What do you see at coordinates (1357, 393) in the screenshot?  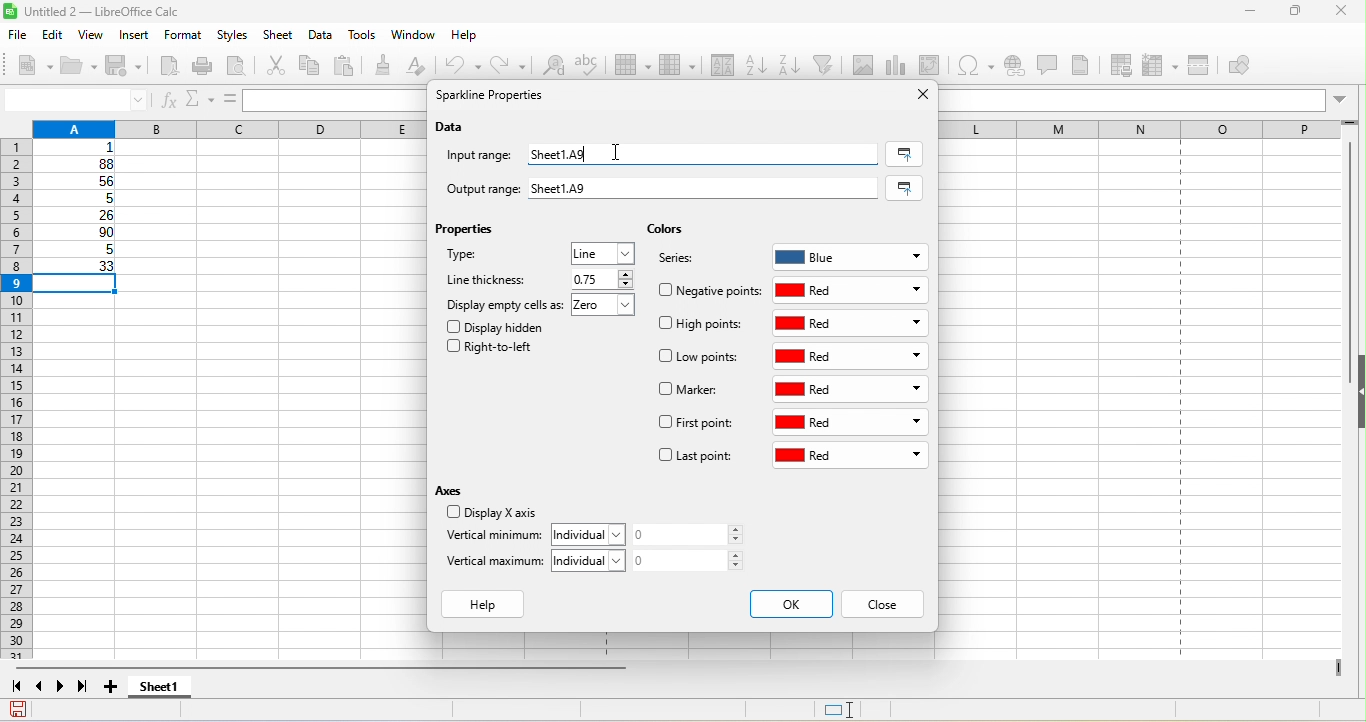 I see `hide` at bounding box center [1357, 393].